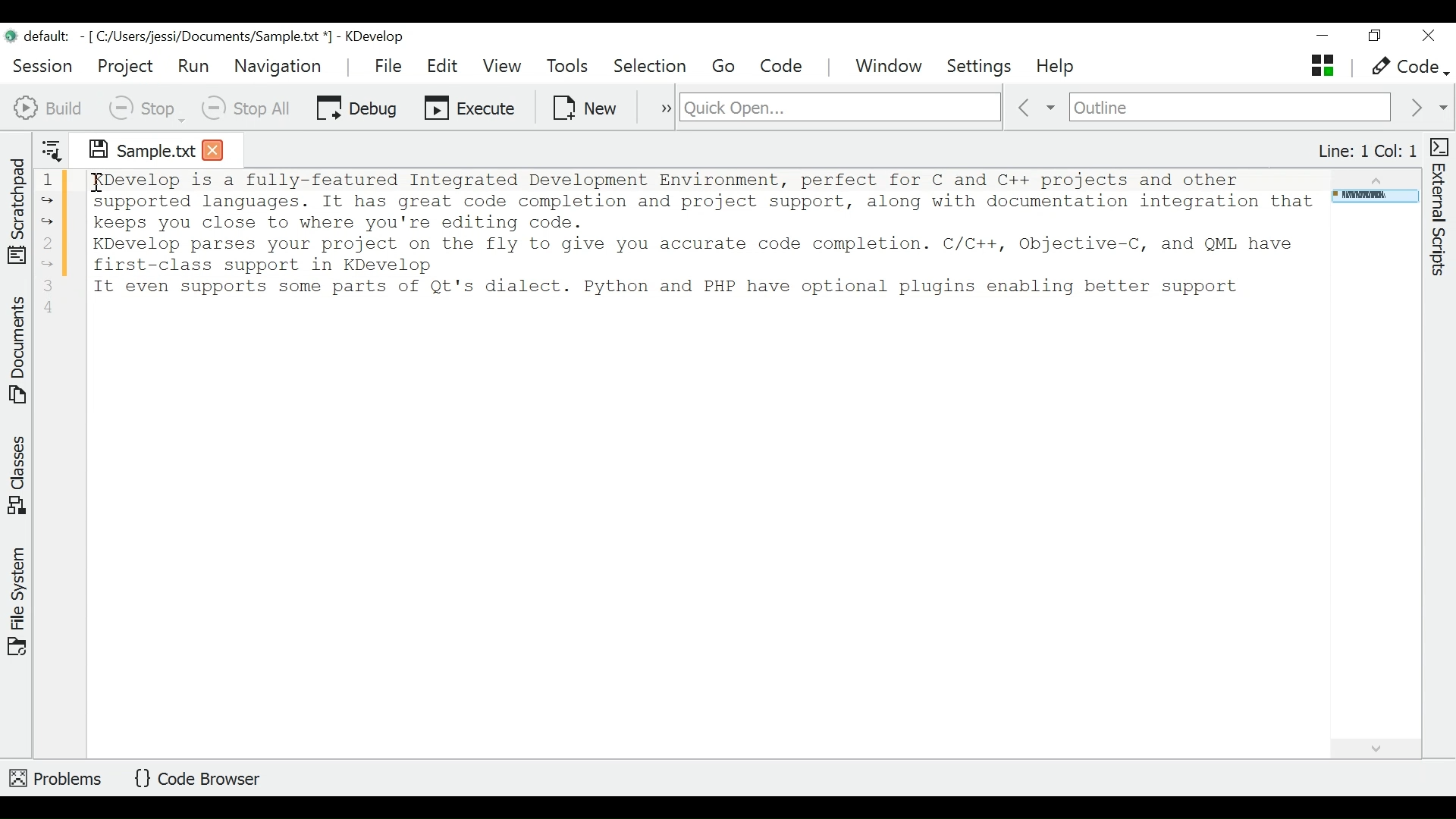 The width and height of the screenshot is (1456, 819). What do you see at coordinates (1427, 36) in the screenshot?
I see `Close` at bounding box center [1427, 36].